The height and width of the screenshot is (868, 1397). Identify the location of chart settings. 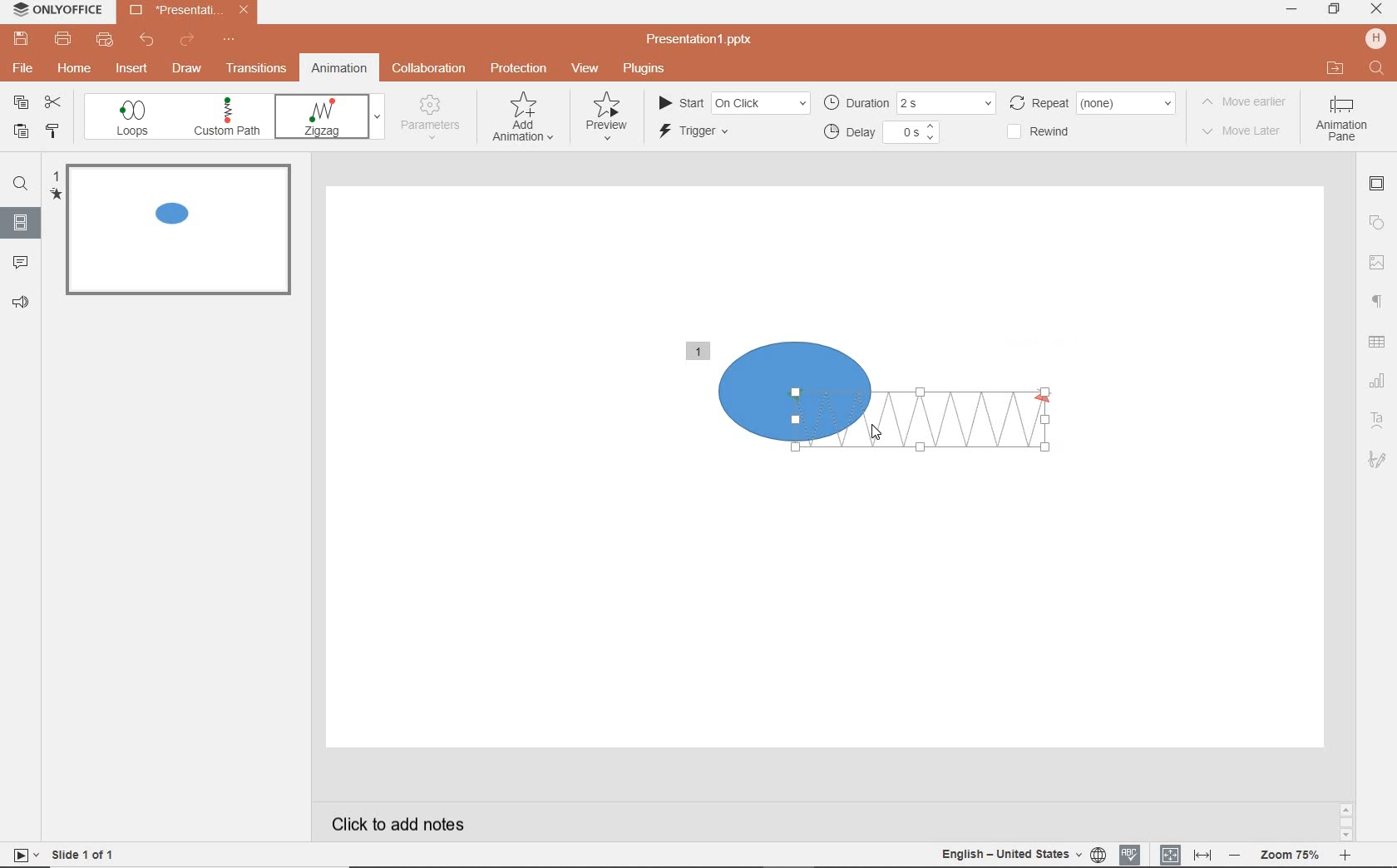
(1377, 382).